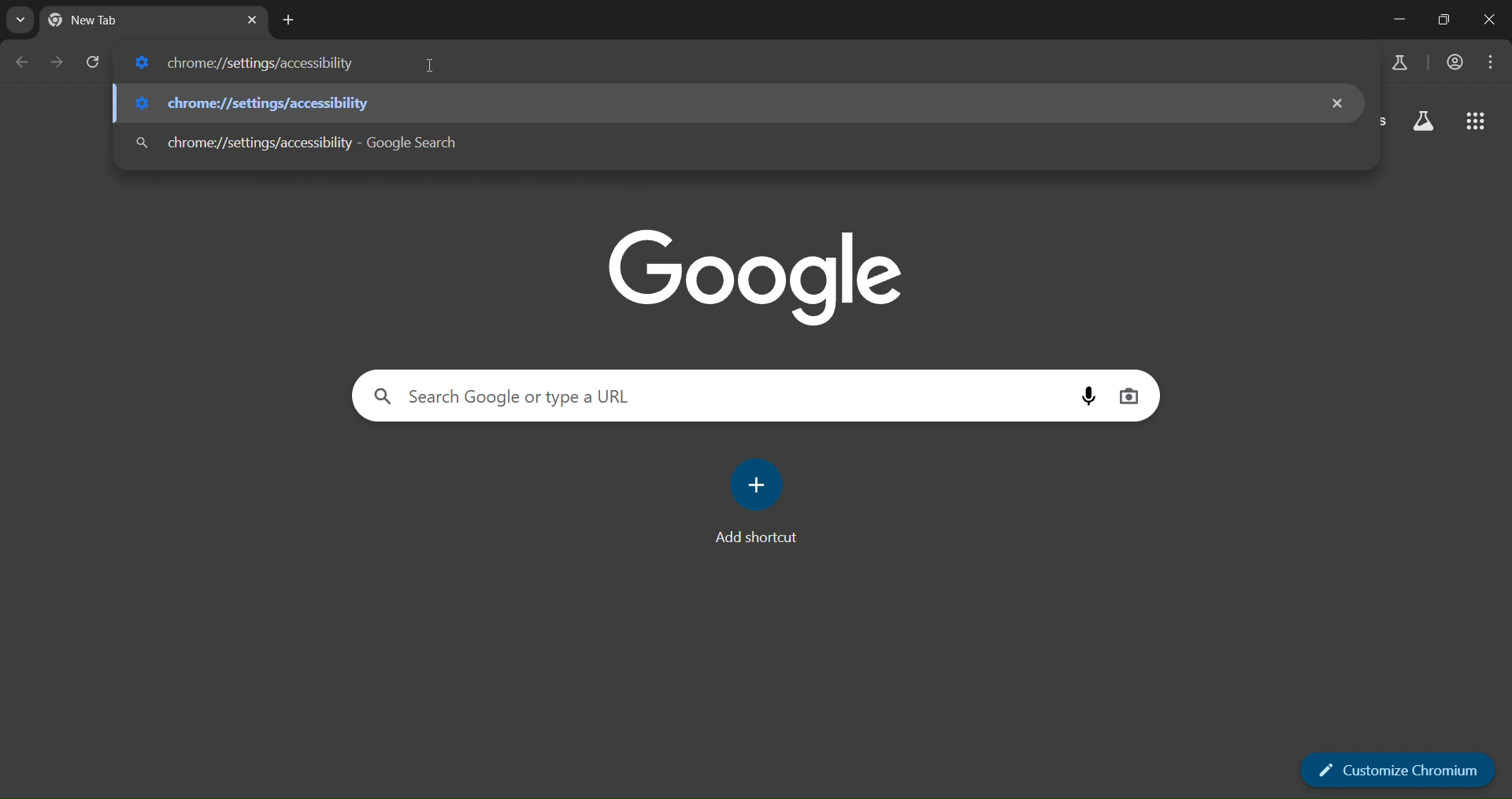 This screenshot has width=1512, height=799. Describe the element at coordinates (1475, 121) in the screenshot. I see `google apps` at that location.